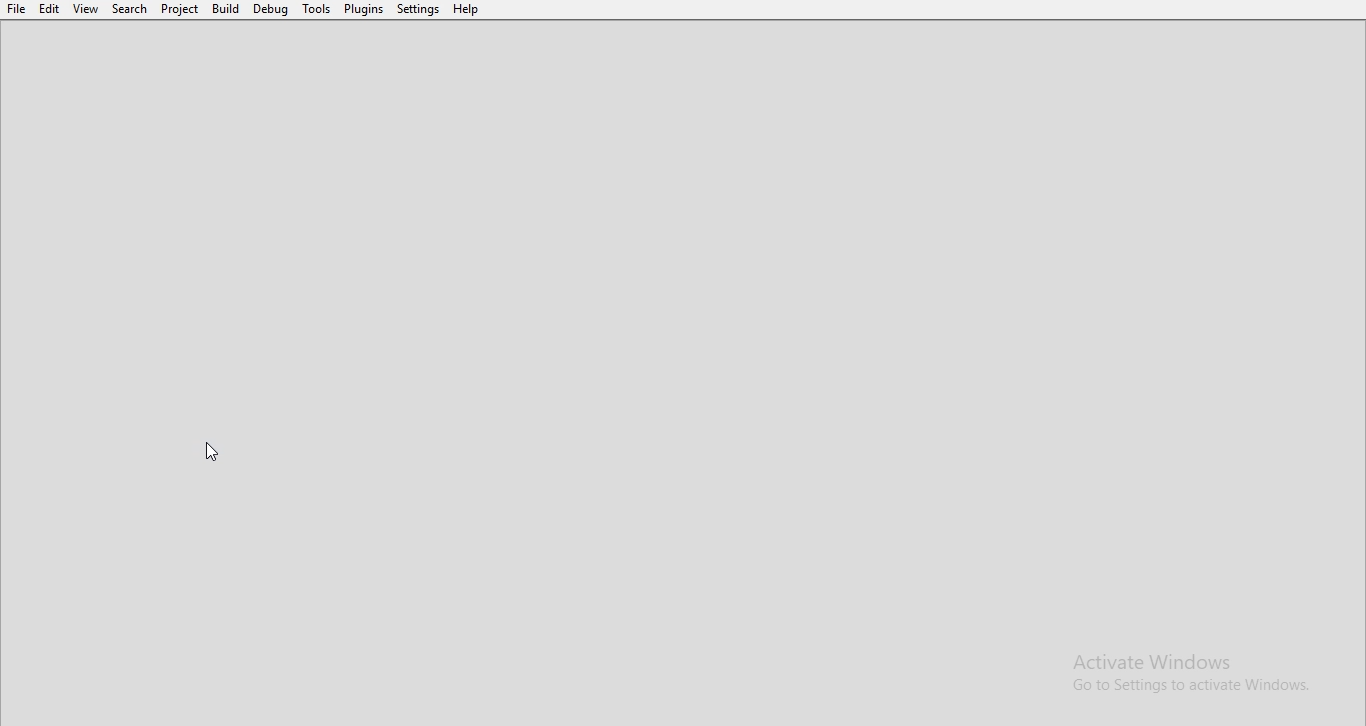  I want to click on Build , so click(225, 9).